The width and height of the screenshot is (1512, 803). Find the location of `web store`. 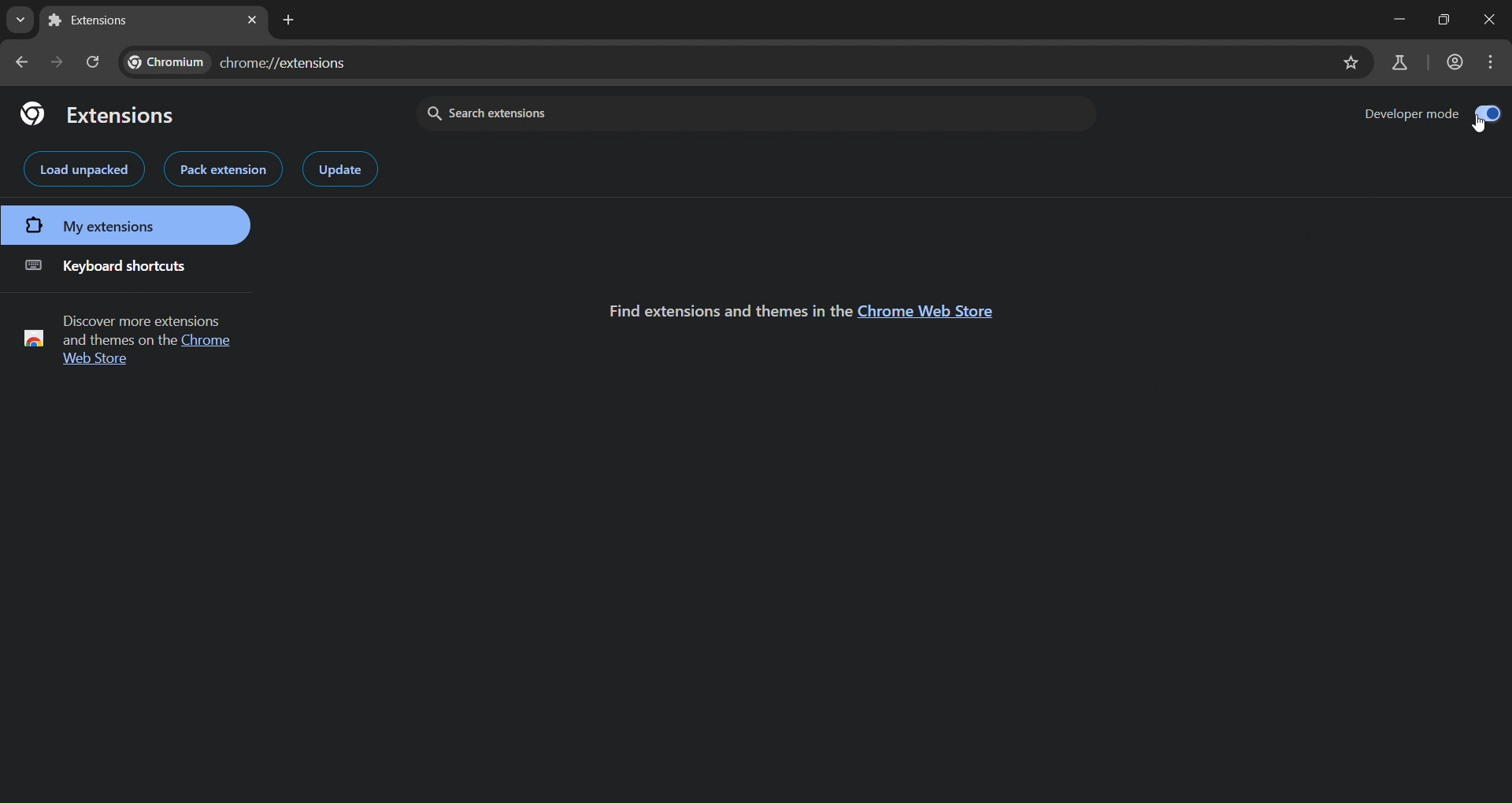

web store is located at coordinates (98, 361).